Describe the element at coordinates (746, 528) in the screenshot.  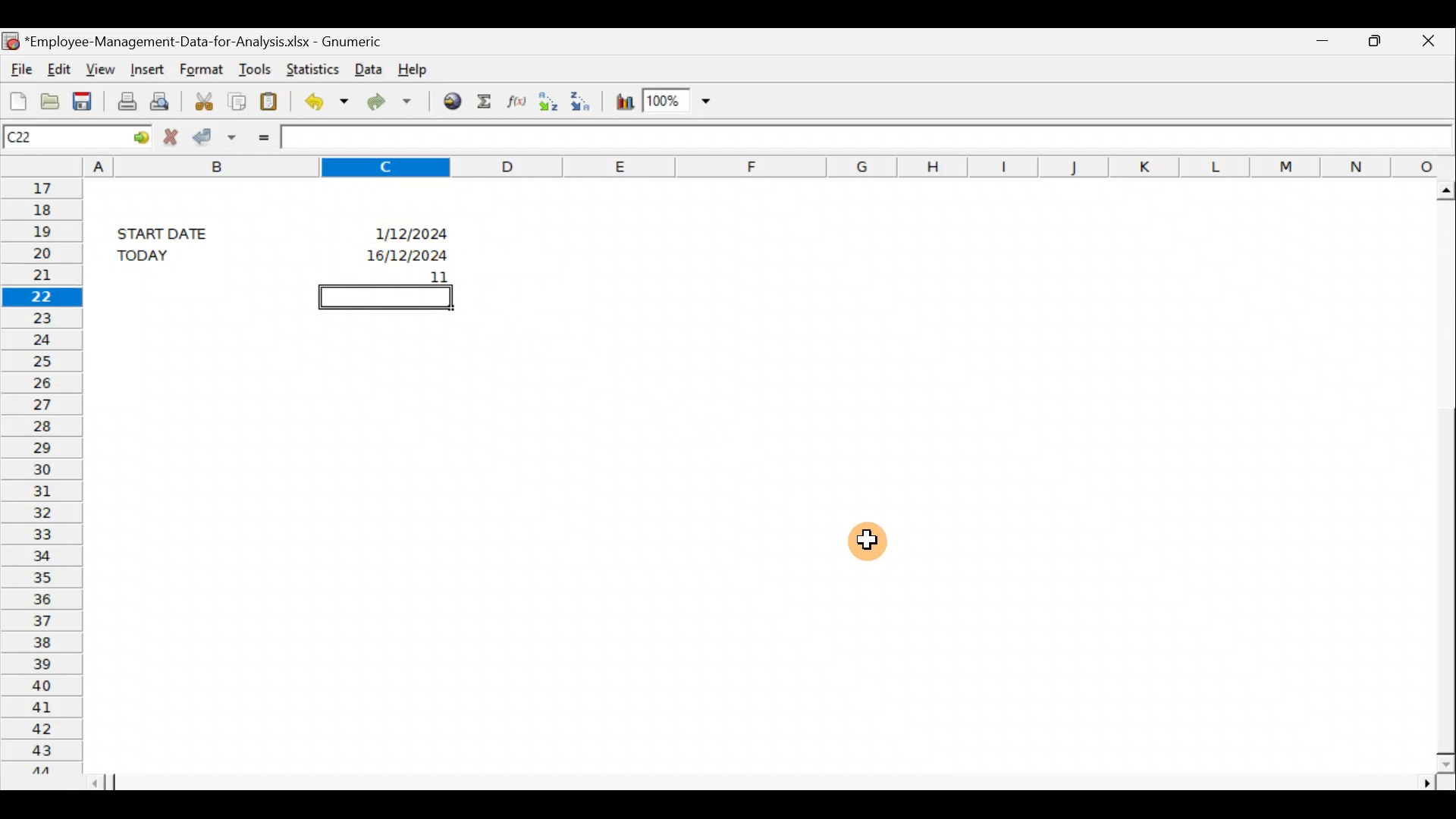
I see `Cells` at that location.